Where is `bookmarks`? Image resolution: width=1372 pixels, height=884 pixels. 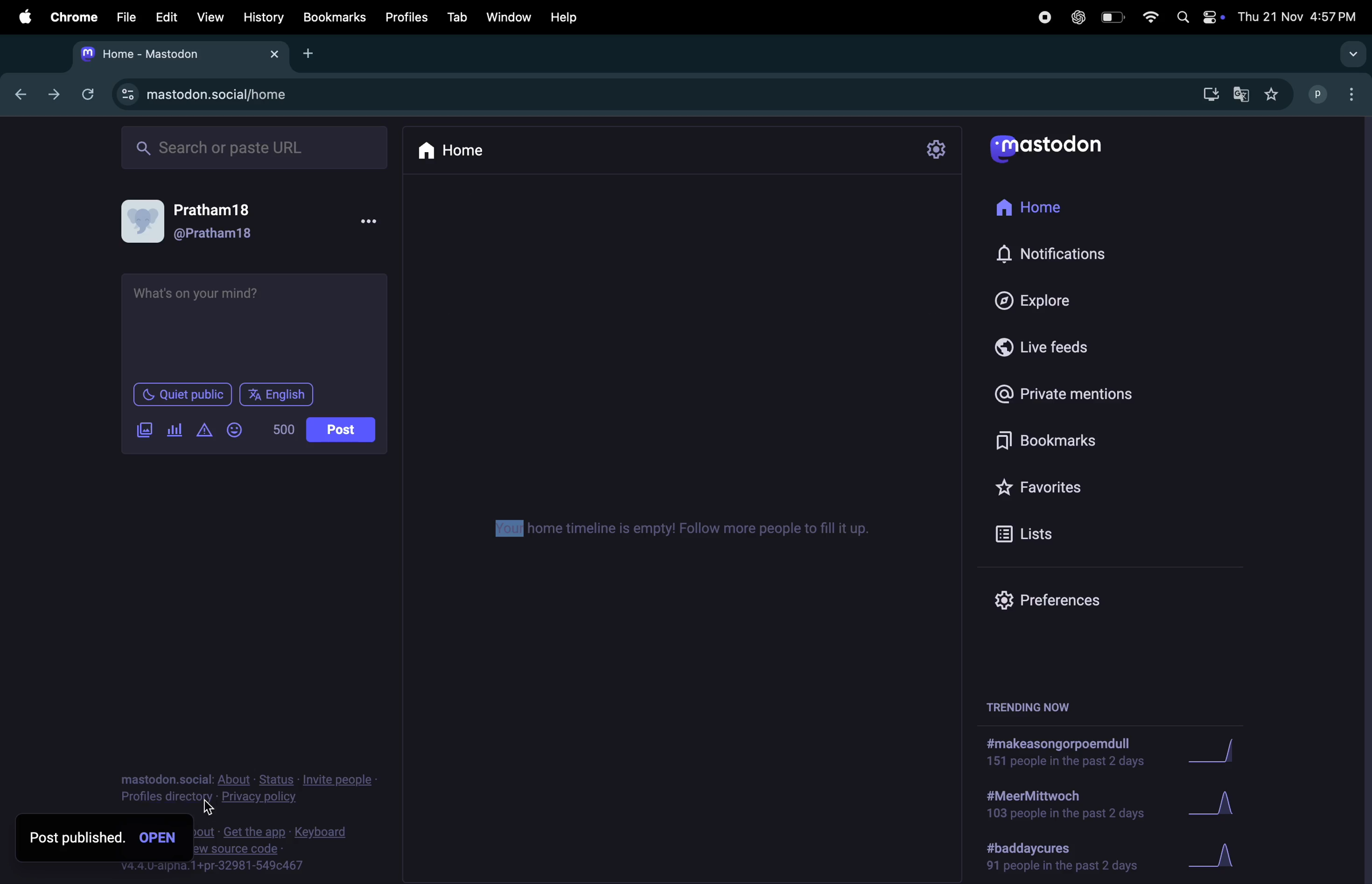 bookmarks is located at coordinates (1051, 444).